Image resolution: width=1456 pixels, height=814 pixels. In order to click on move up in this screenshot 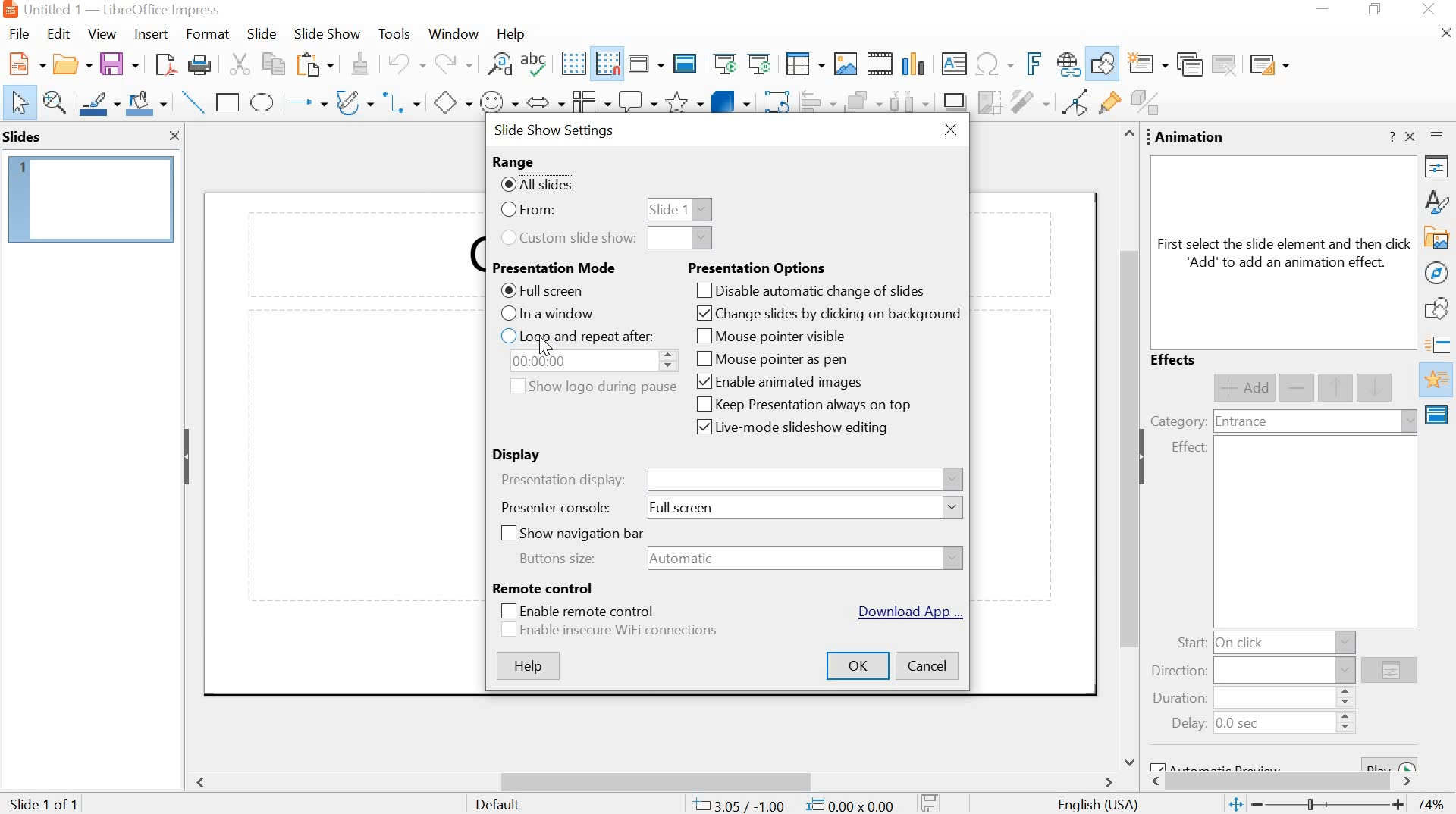, I will do `click(1337, 388)`.